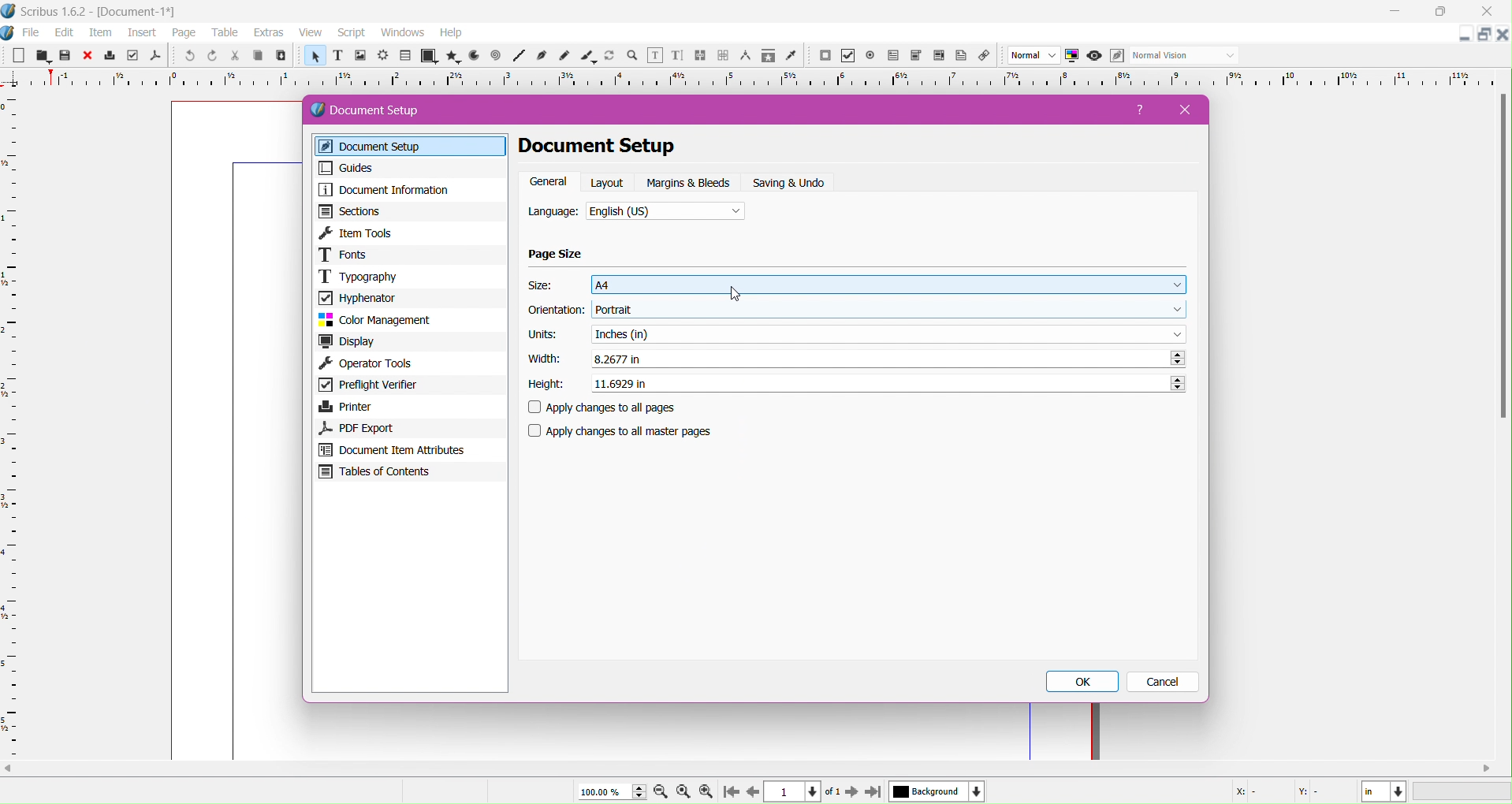 This screenshot has height=804, width=1512. I want to click on Item Tools, so click(412, 233).